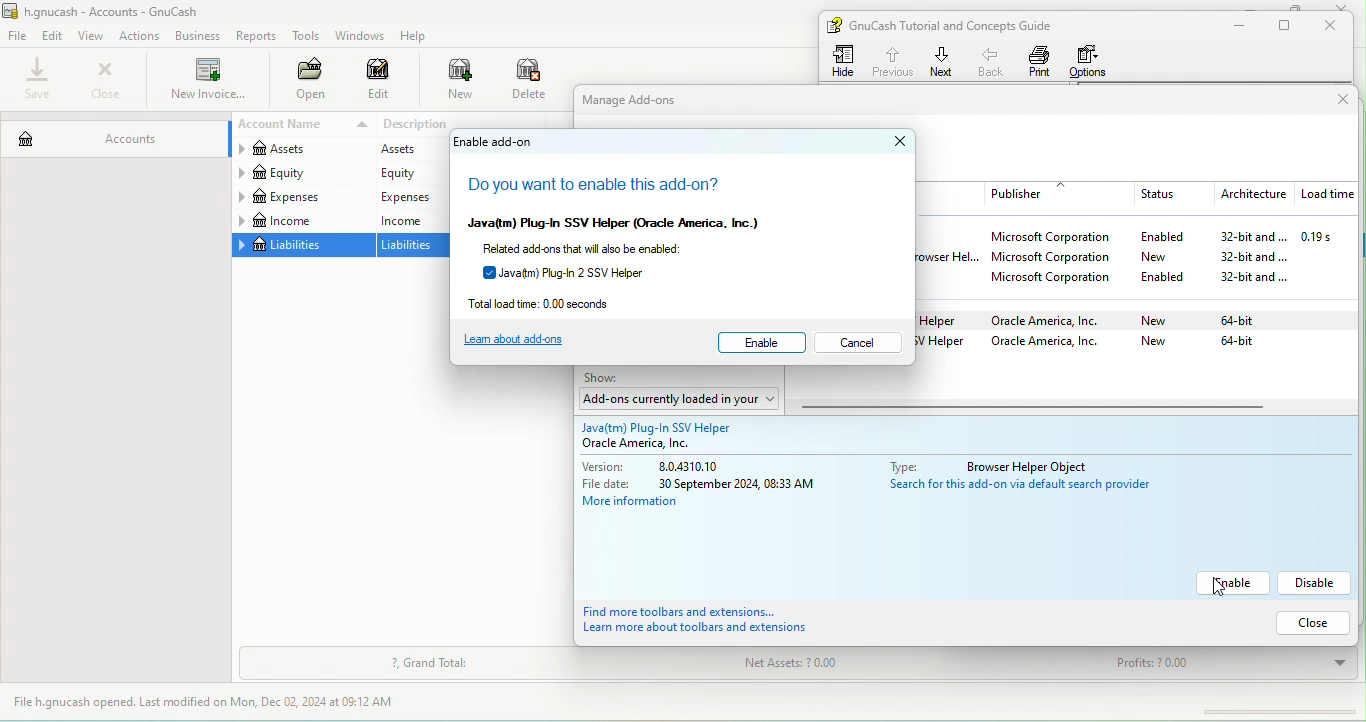 Image resolution: width=1366 pixels, height=722 pixels. Describe the element at coordinates (1035, 407) in the screenshot. I see `horizontal scrollbar` at that location.